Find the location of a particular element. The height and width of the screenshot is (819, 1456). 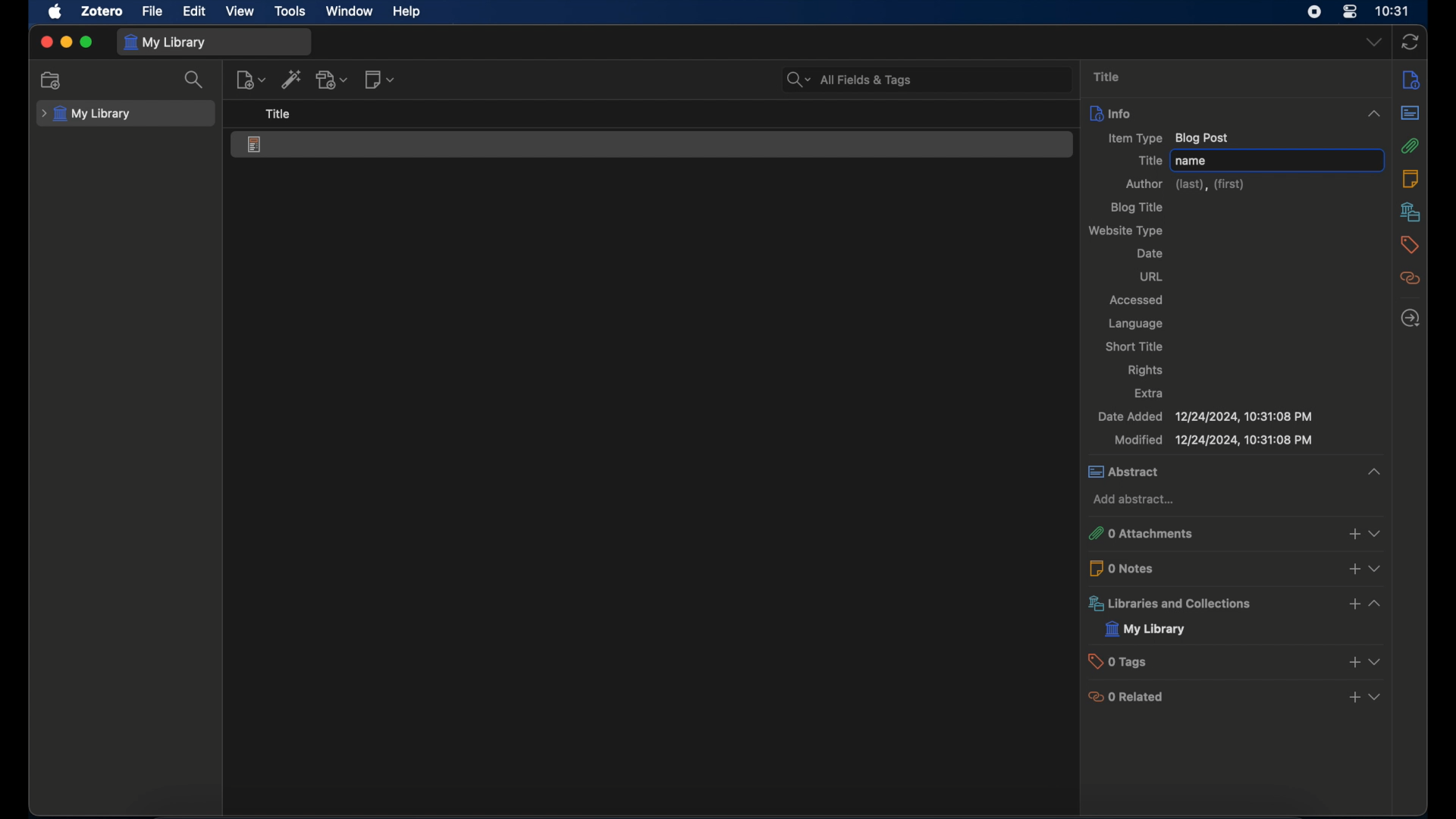

help is located at coordinates (406, 12).